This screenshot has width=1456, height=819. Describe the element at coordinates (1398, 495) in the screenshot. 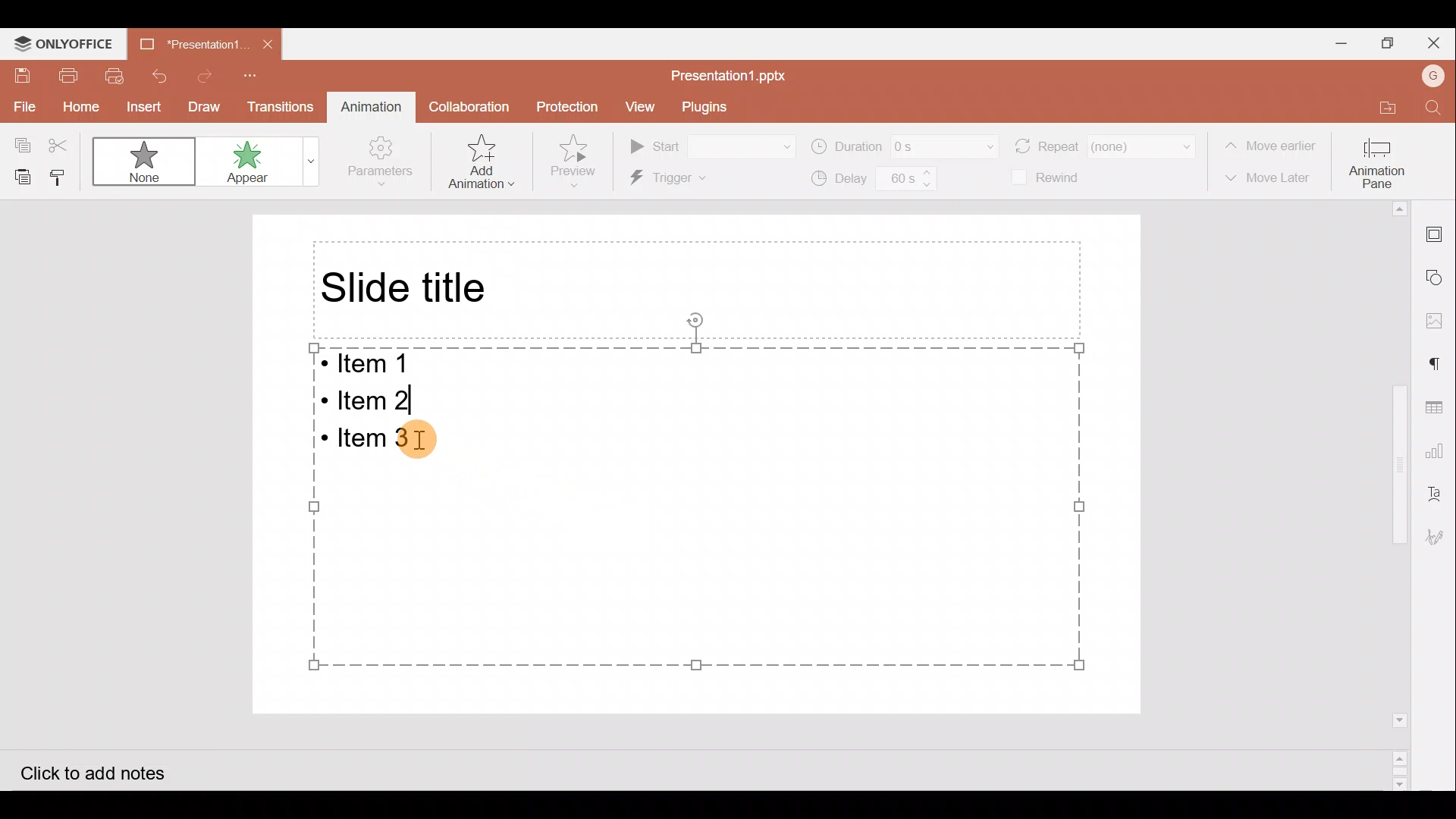

I see `Scroll bar` at that location.